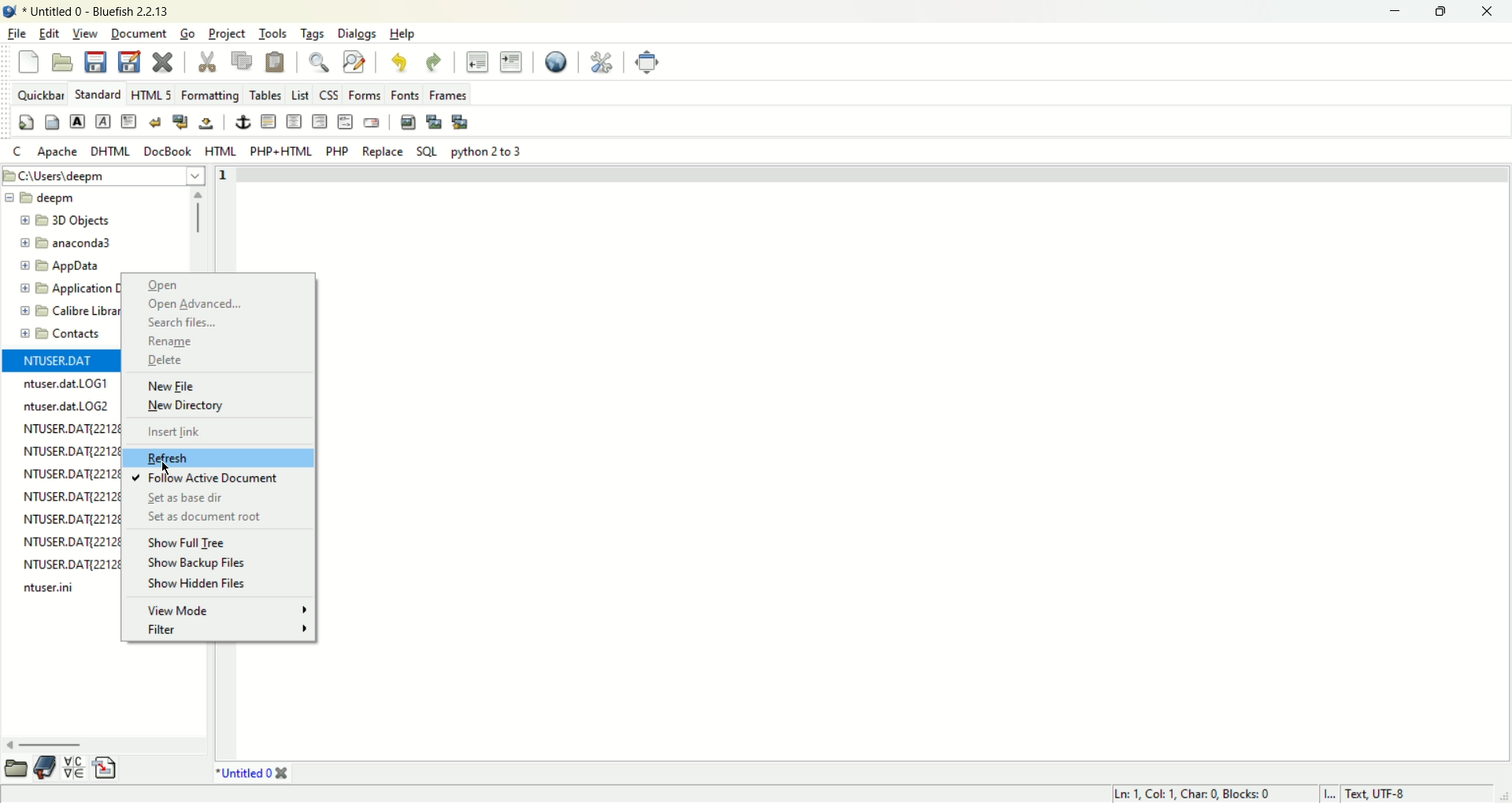 The height and width of the screenshot is (803, 1512). I want to click on NTUSER.DATI22128aa30-2361-11ee-¢, so click(72, 539).